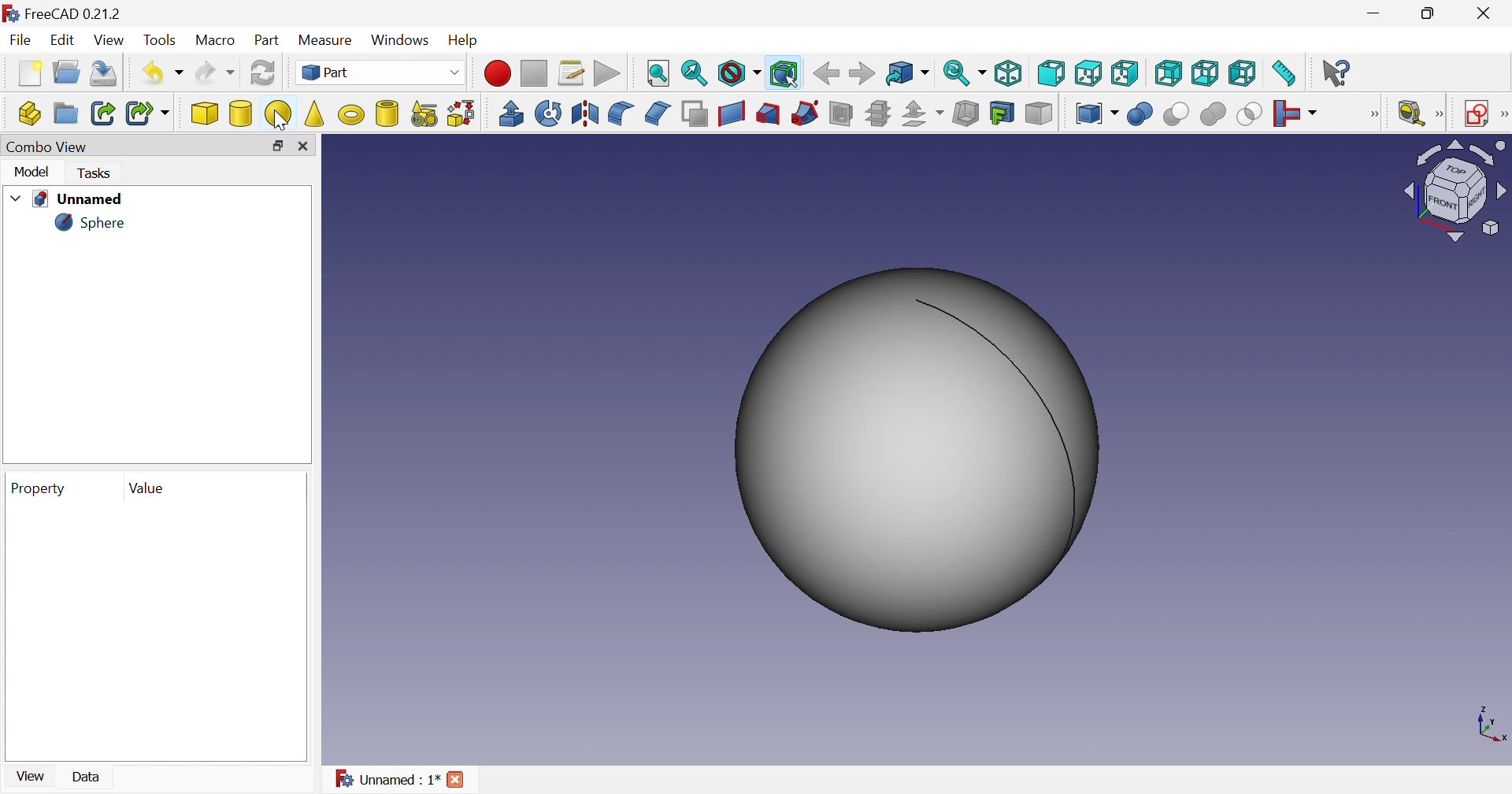  Describe the element at coordinates (1432, 13) in the screenshot. I see `Restore down` at that location.